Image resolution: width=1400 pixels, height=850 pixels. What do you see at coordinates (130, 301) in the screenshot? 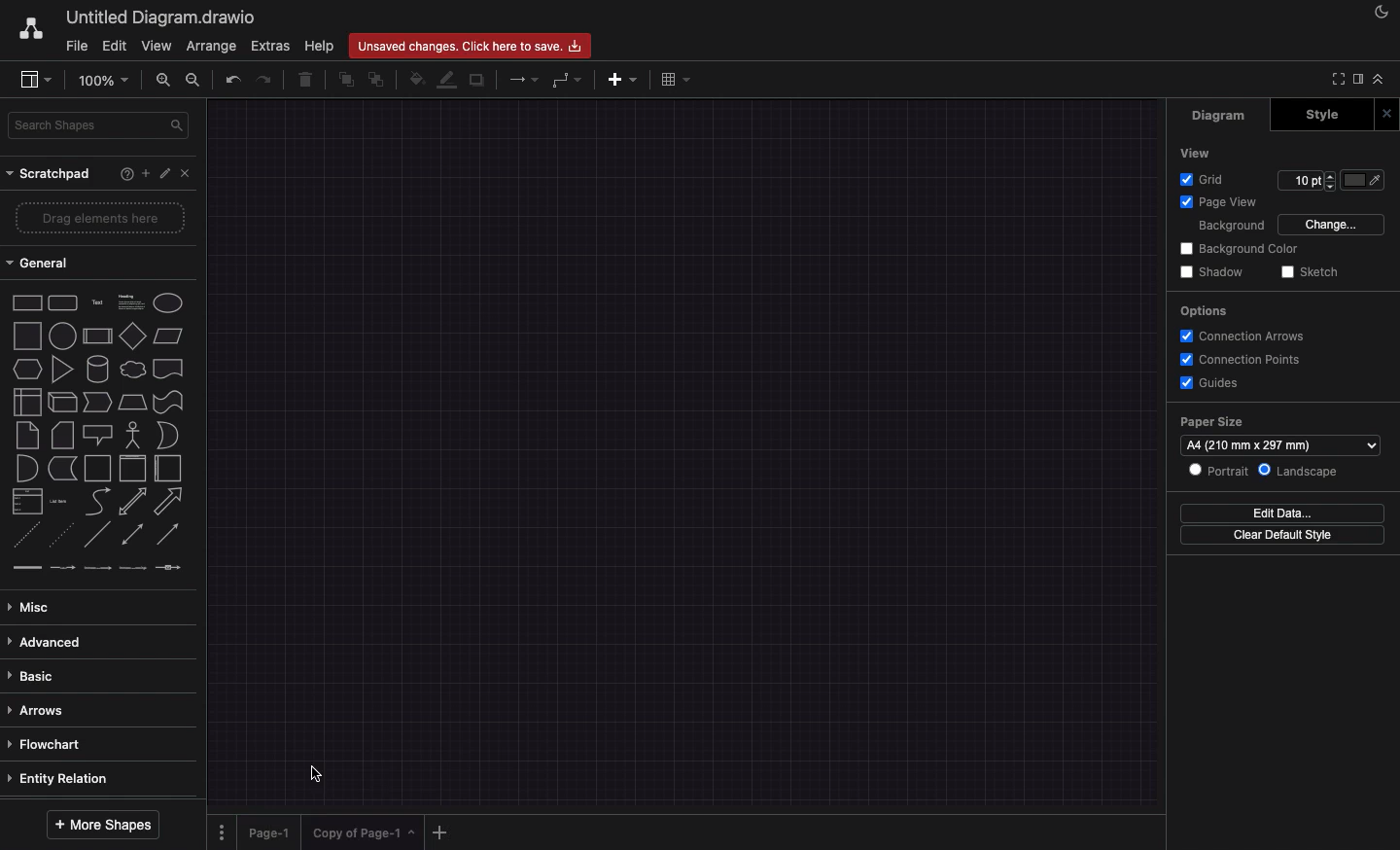
I see `text` at bounding box center [130, 301].